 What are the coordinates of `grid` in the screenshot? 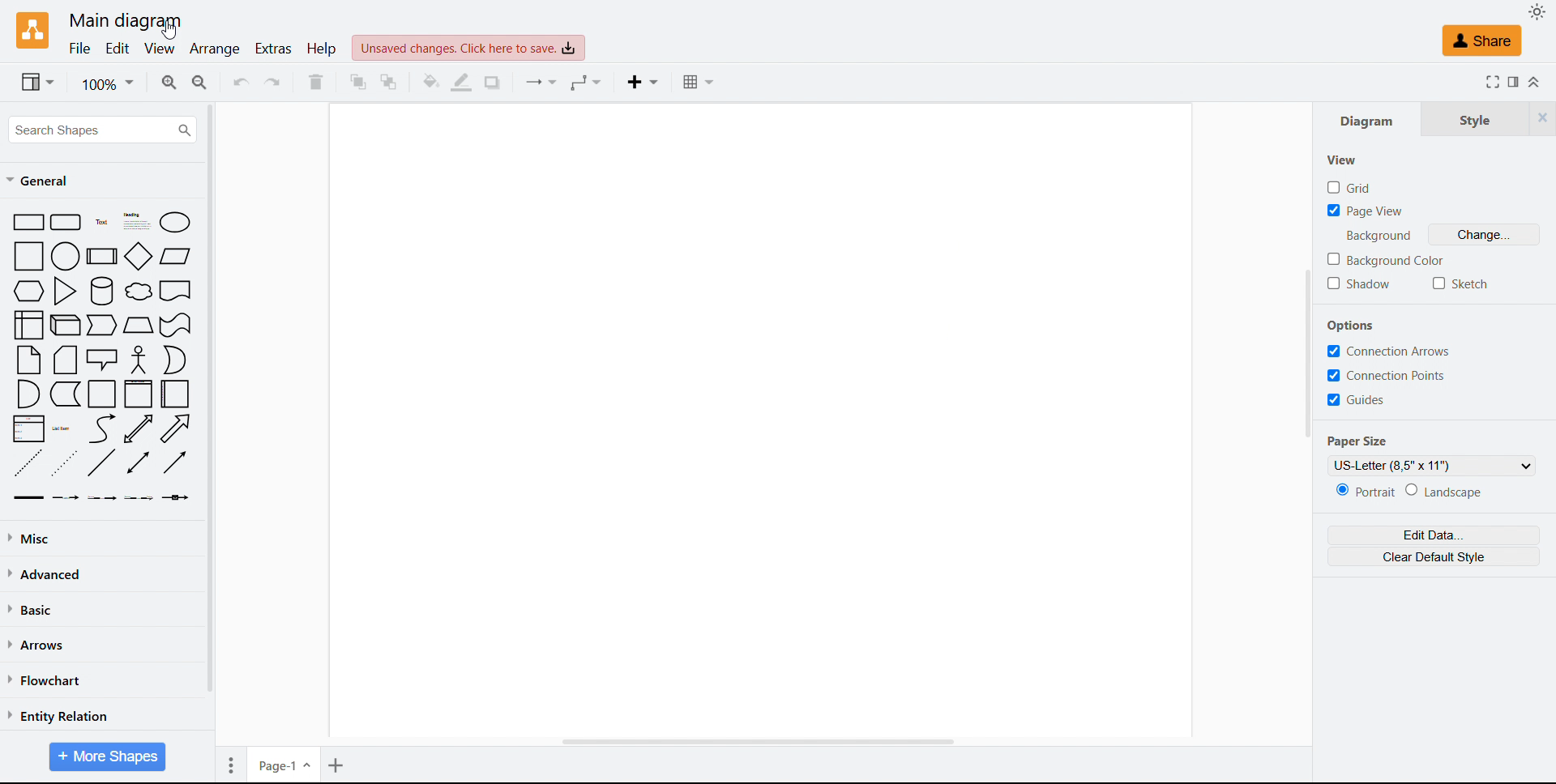 It's located at (1349, 187).